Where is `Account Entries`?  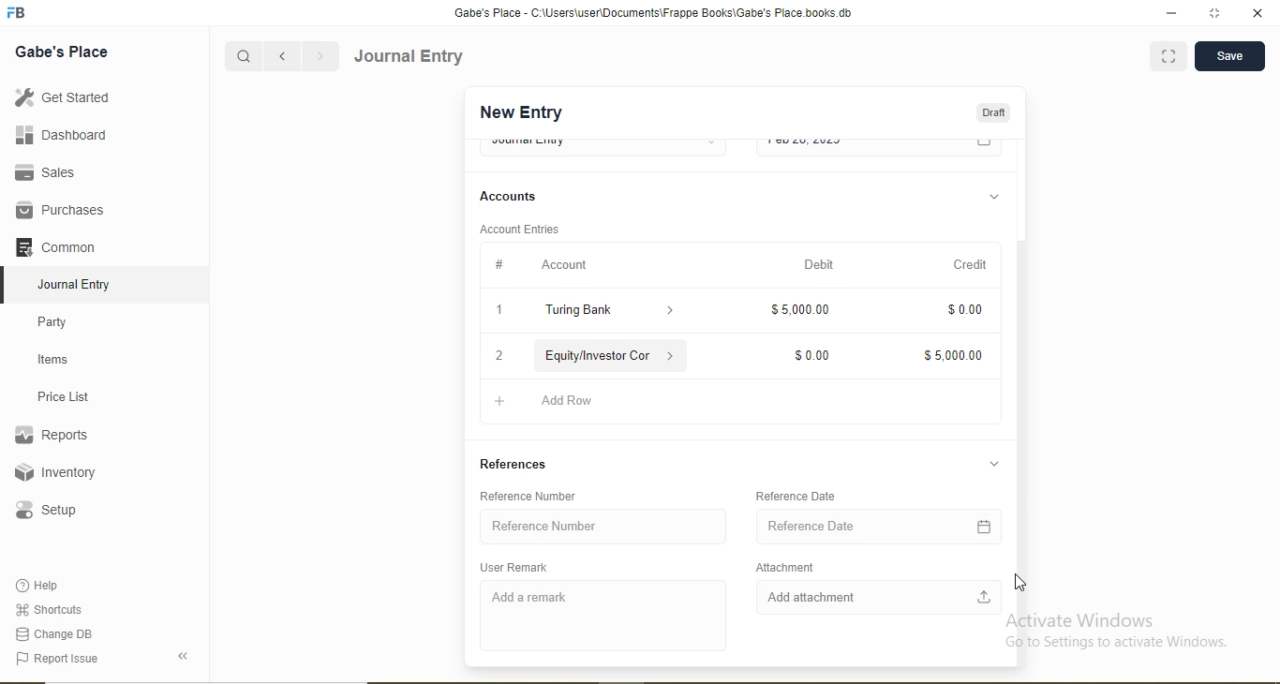 Account Entries is located at coordinates (519, 229).